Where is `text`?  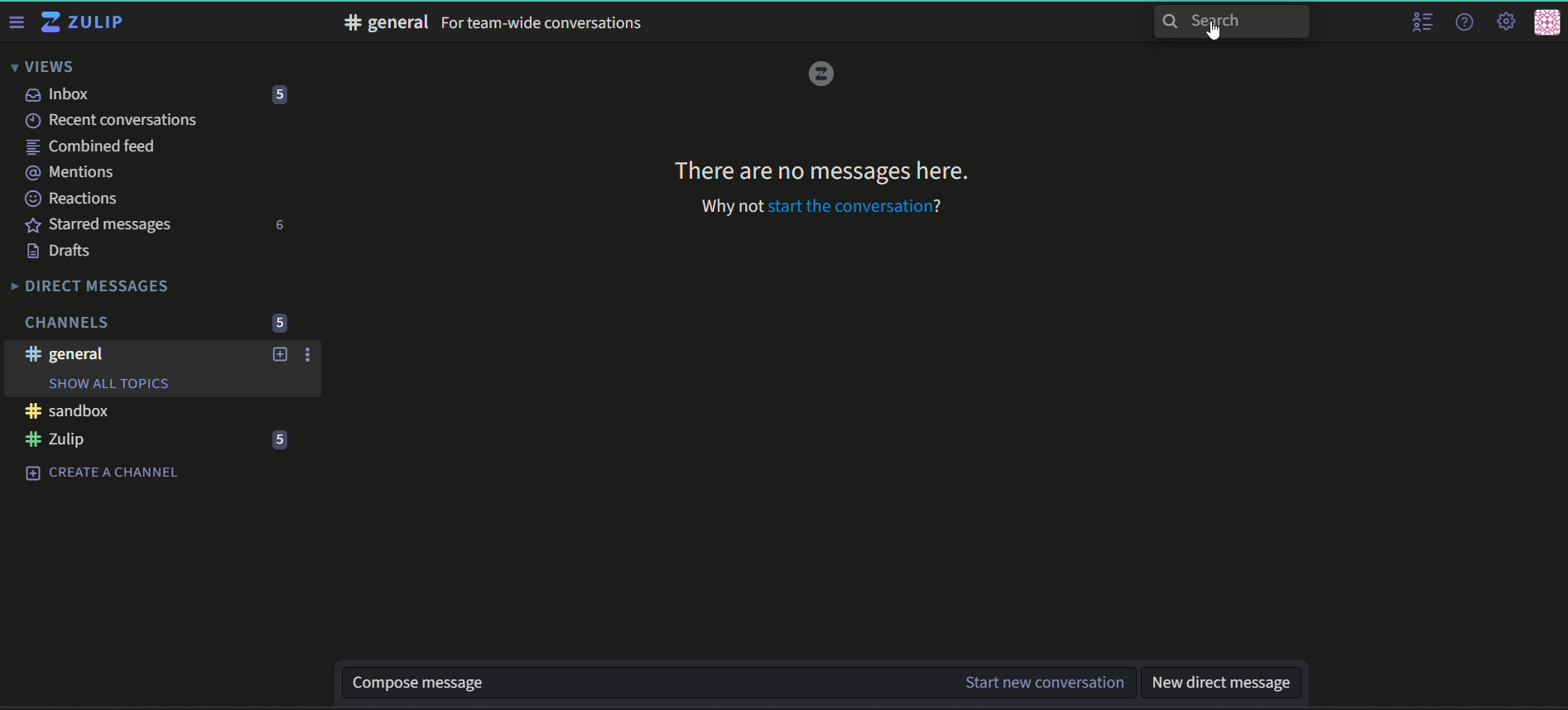
text is located at coordinates (500, 22).